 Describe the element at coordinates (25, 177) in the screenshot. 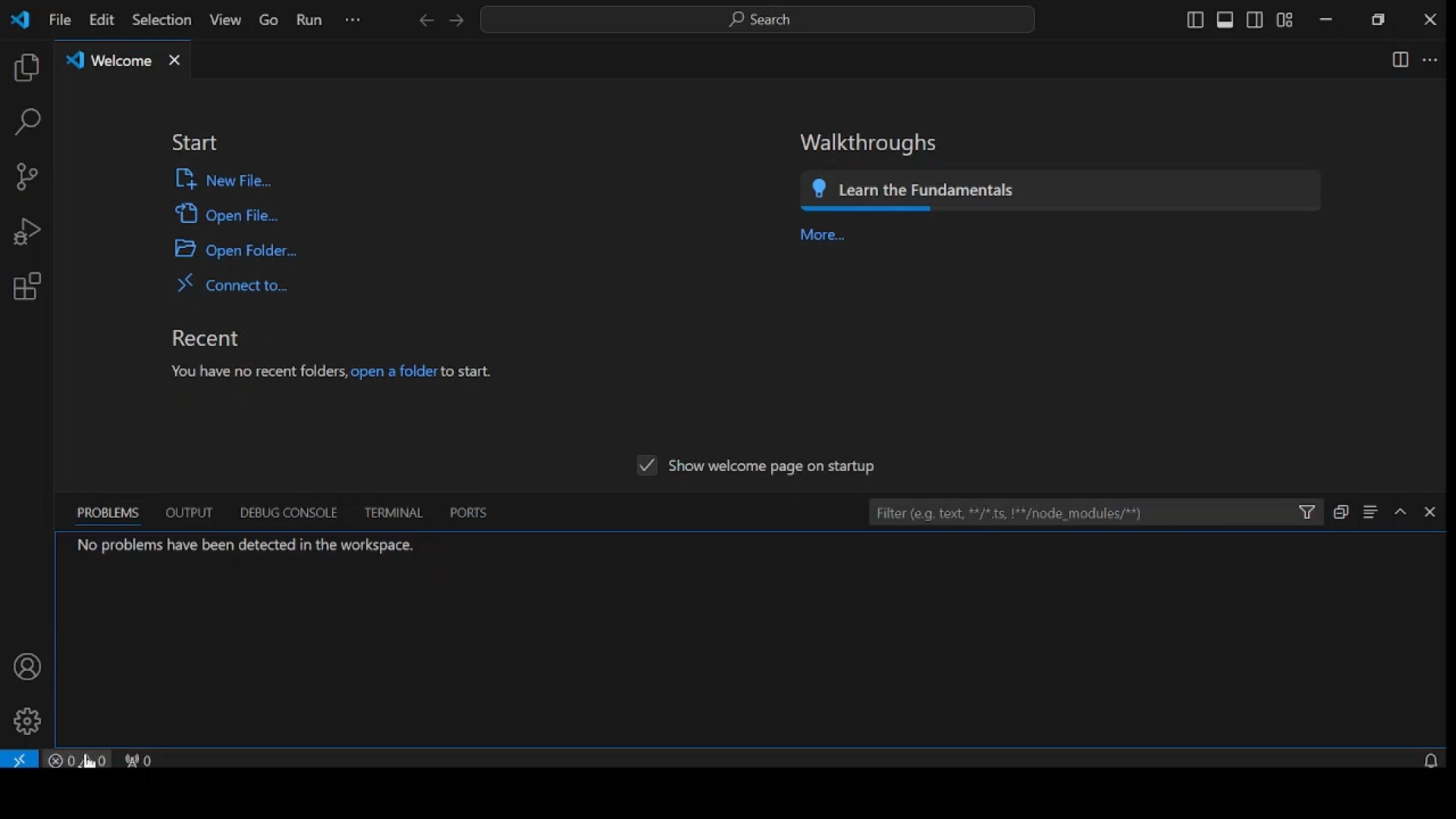

I see `source control` at that location.